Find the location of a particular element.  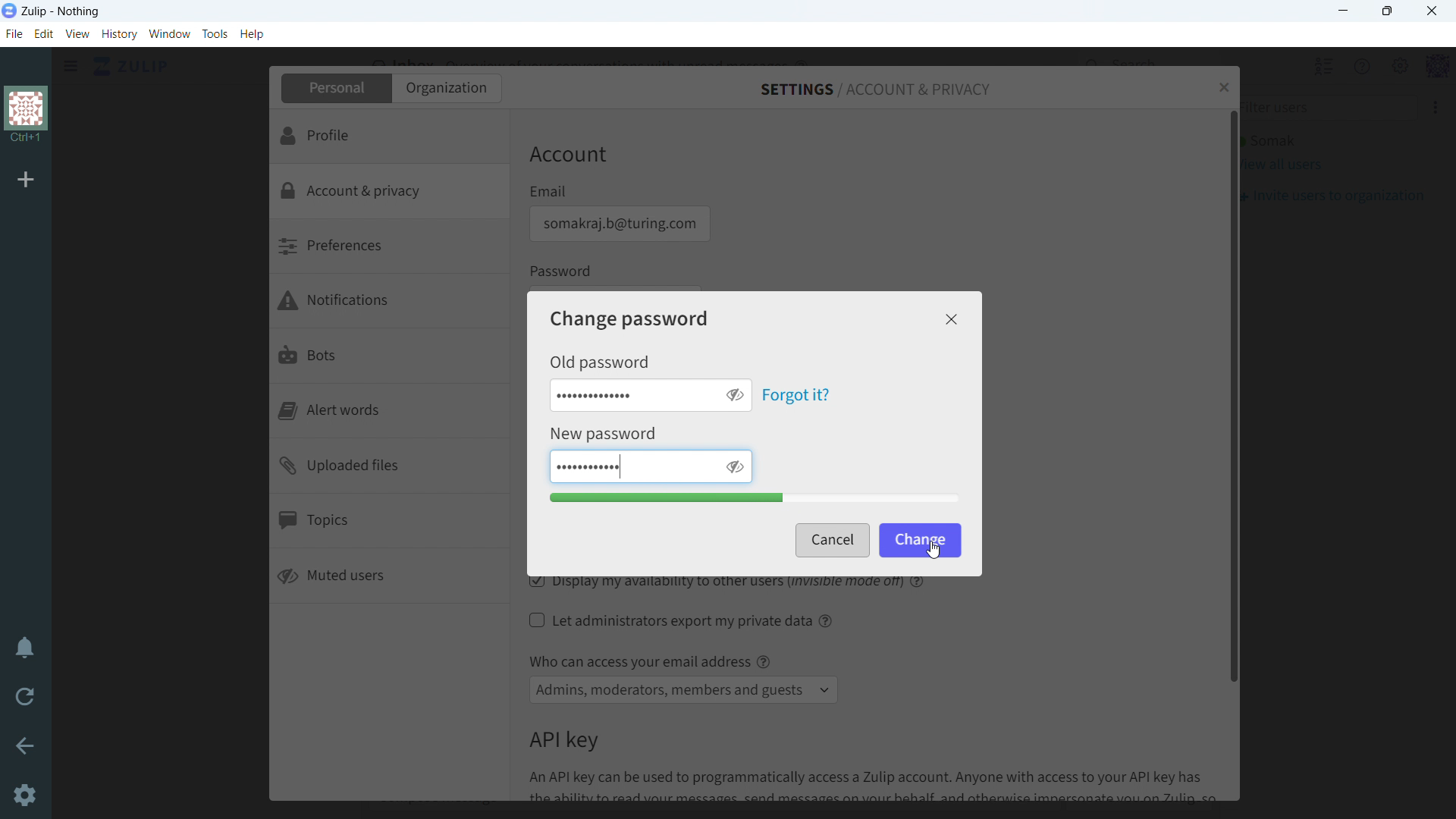

hide all users is located at coordinates (1322, 65).